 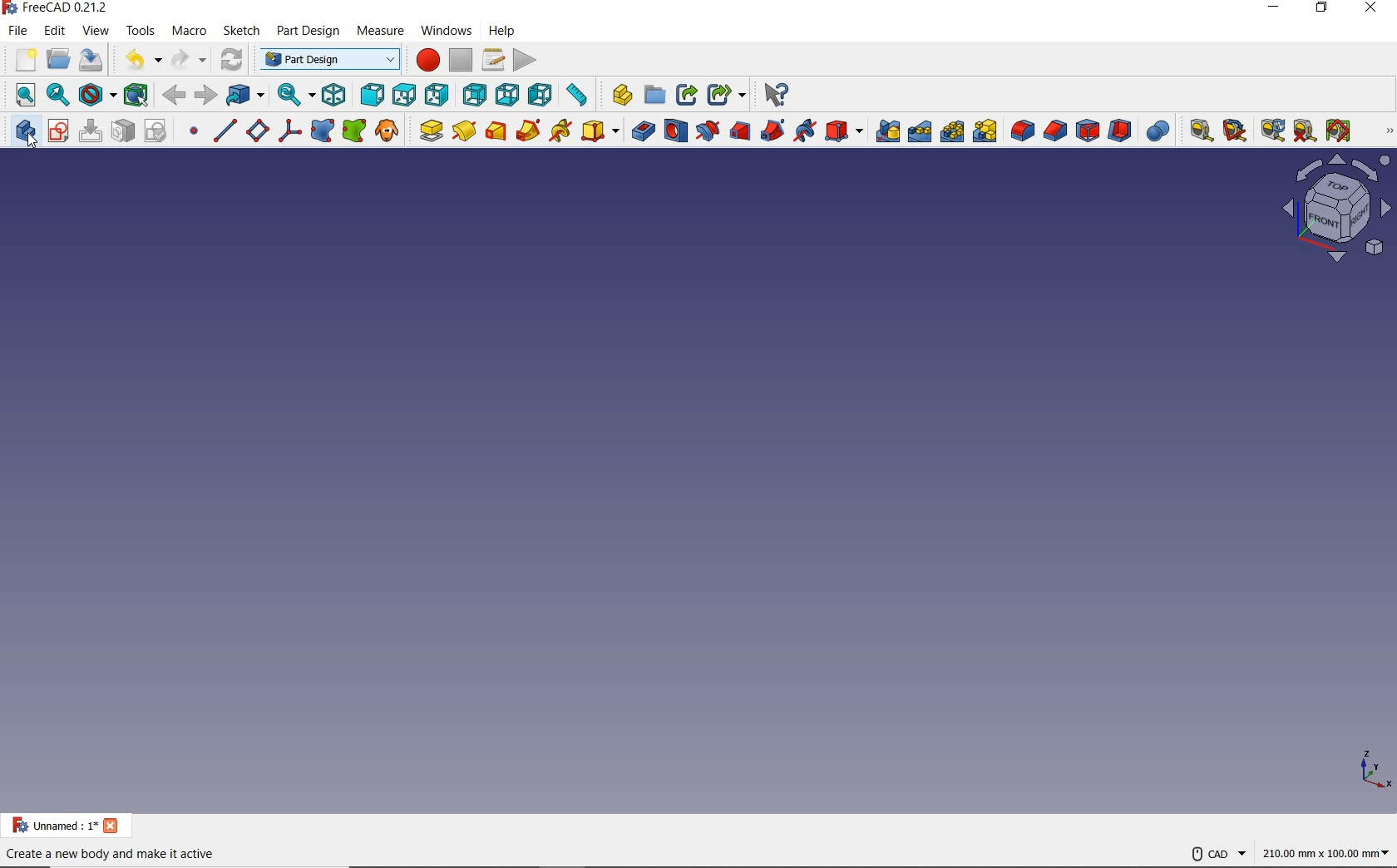 What do you see at coordinates (741, 129) in the screenshot?
I see `SUBTRACTIVE LOFT` at bounding box center [741, 129].